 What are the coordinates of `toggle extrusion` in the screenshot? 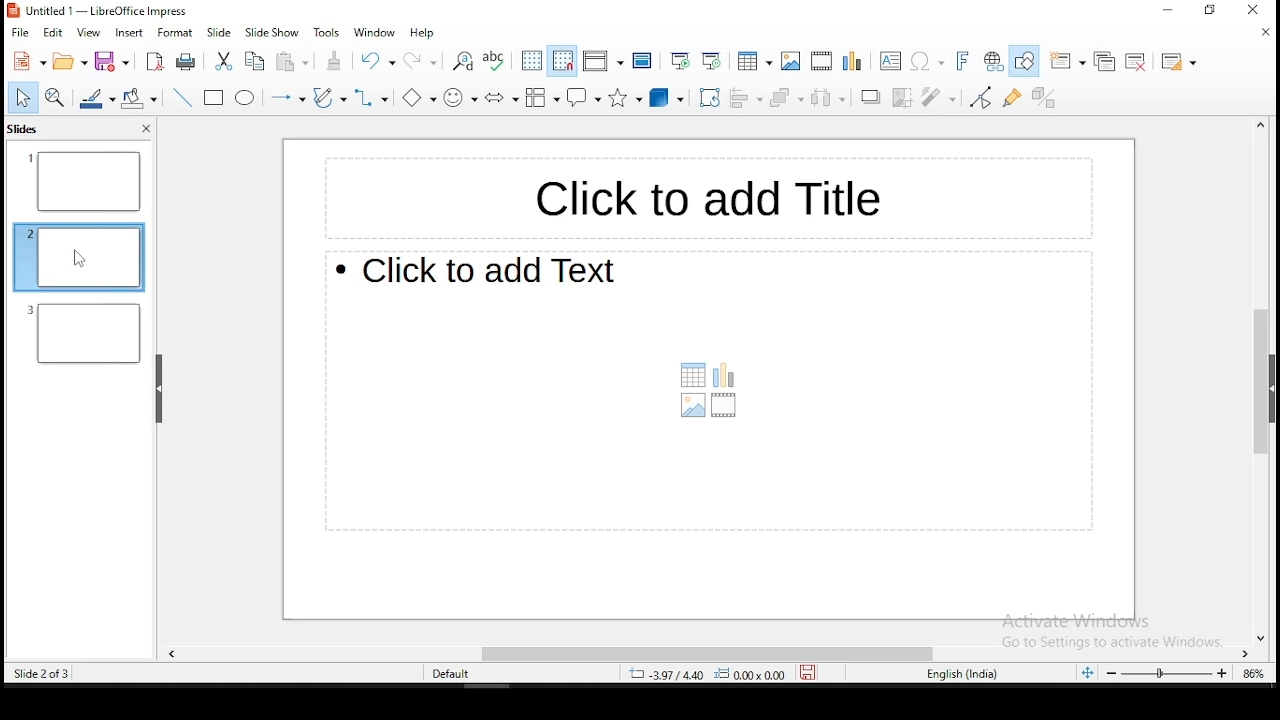 It's located at (1043, 100).